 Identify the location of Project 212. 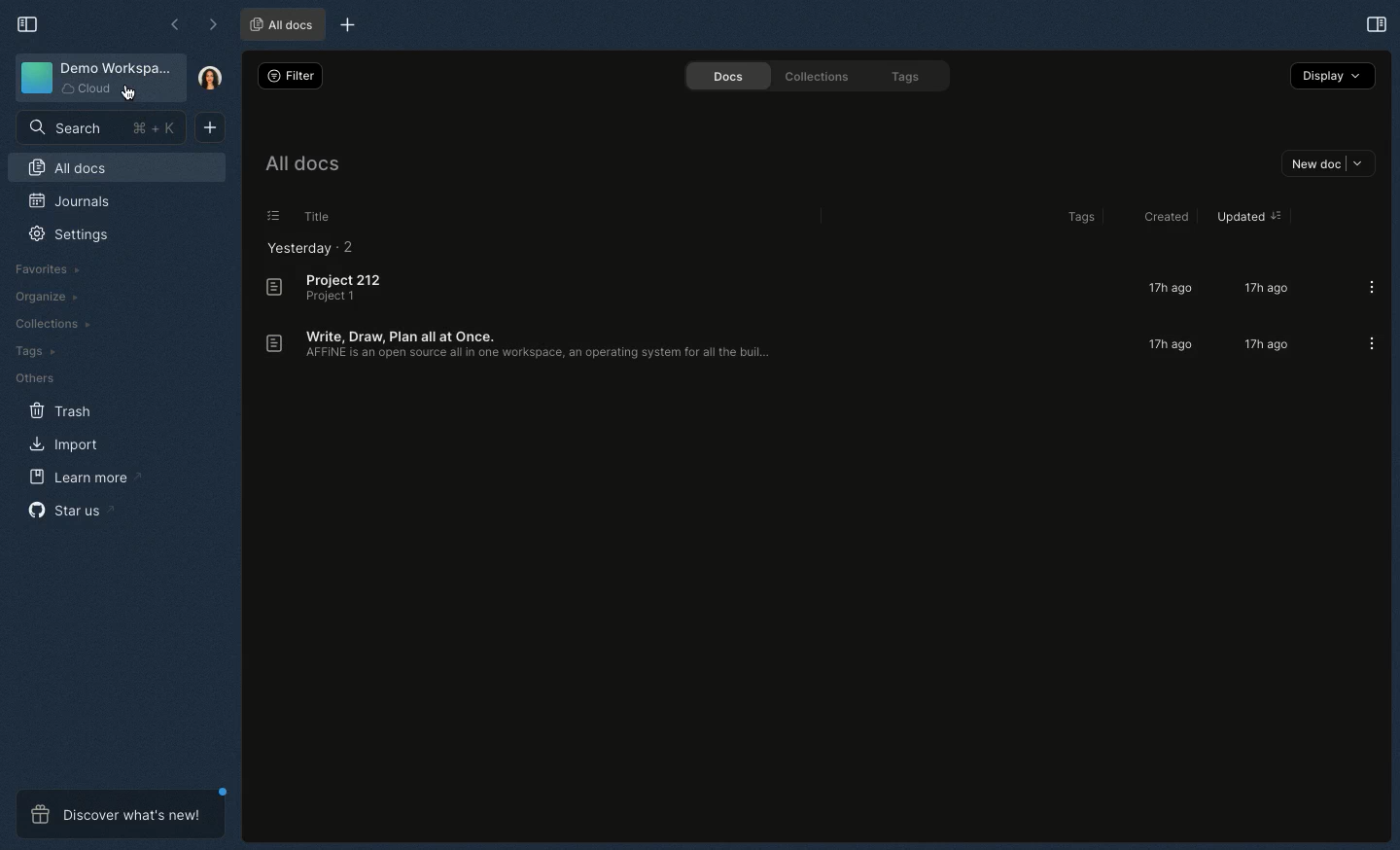
(327, 289).